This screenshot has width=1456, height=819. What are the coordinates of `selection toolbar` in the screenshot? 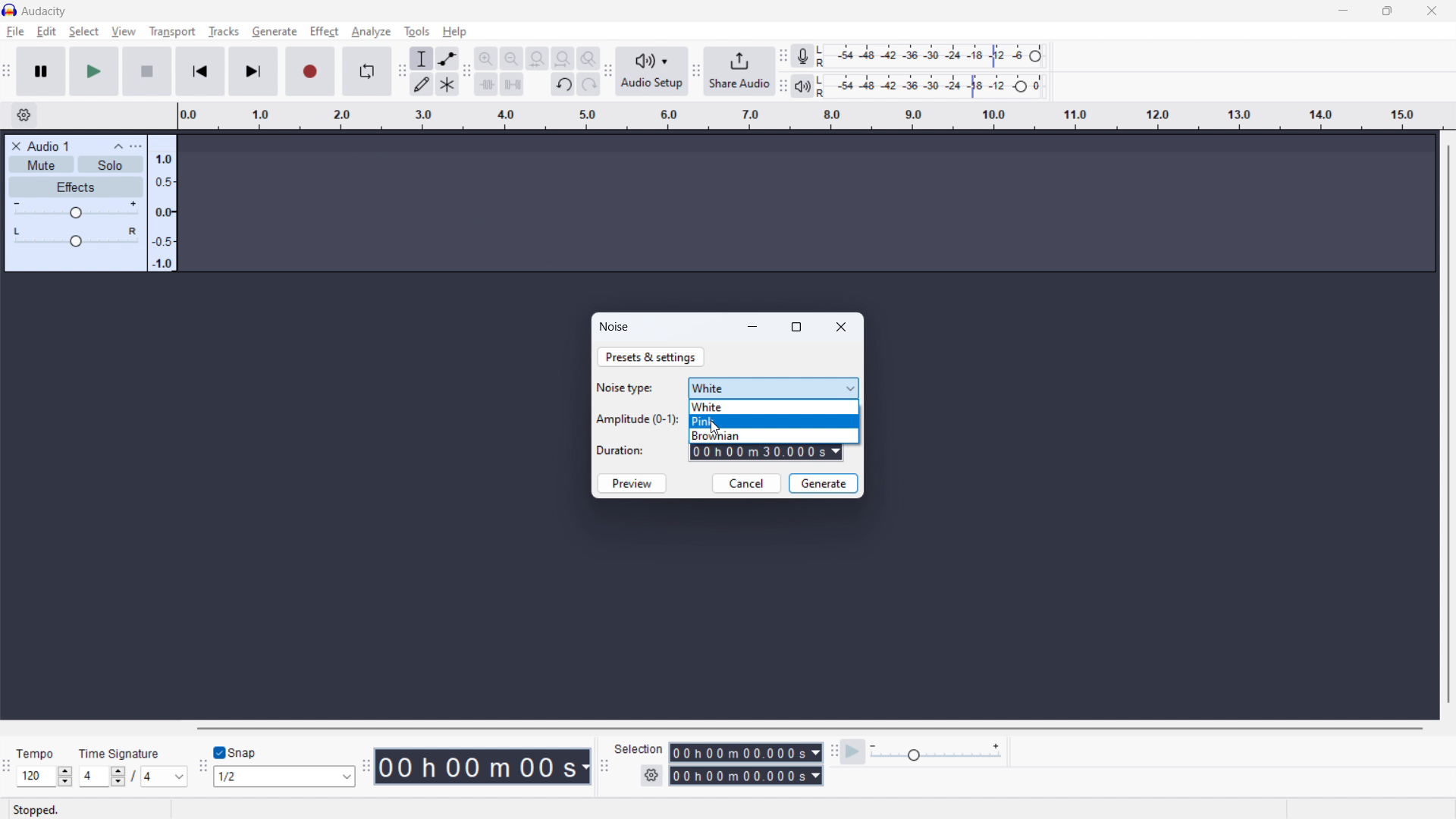 It's located at (604, 767).